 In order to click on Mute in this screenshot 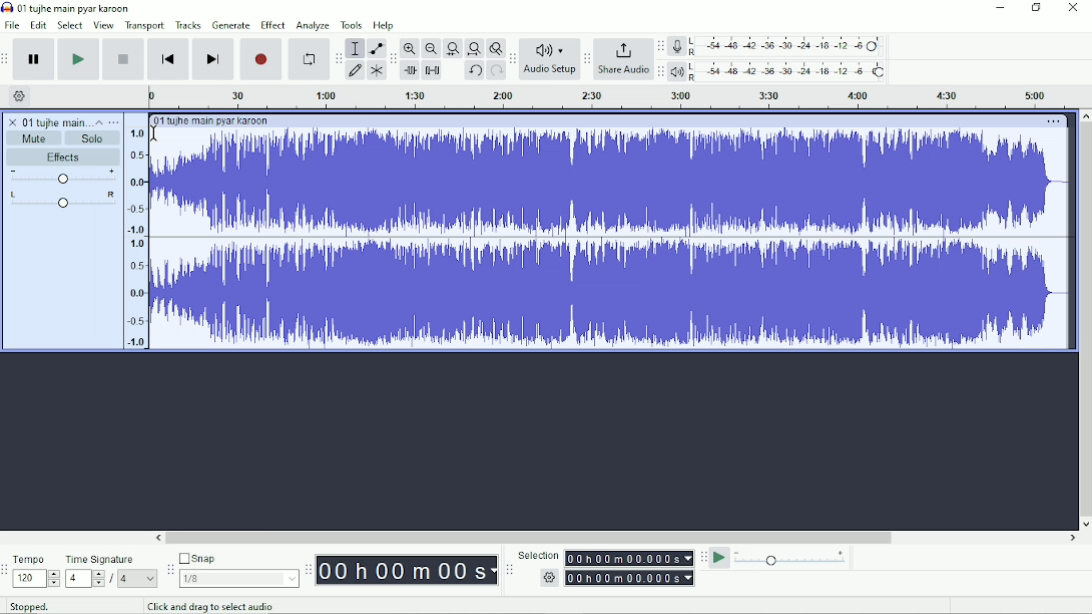, I will do `click(35, 138)`.